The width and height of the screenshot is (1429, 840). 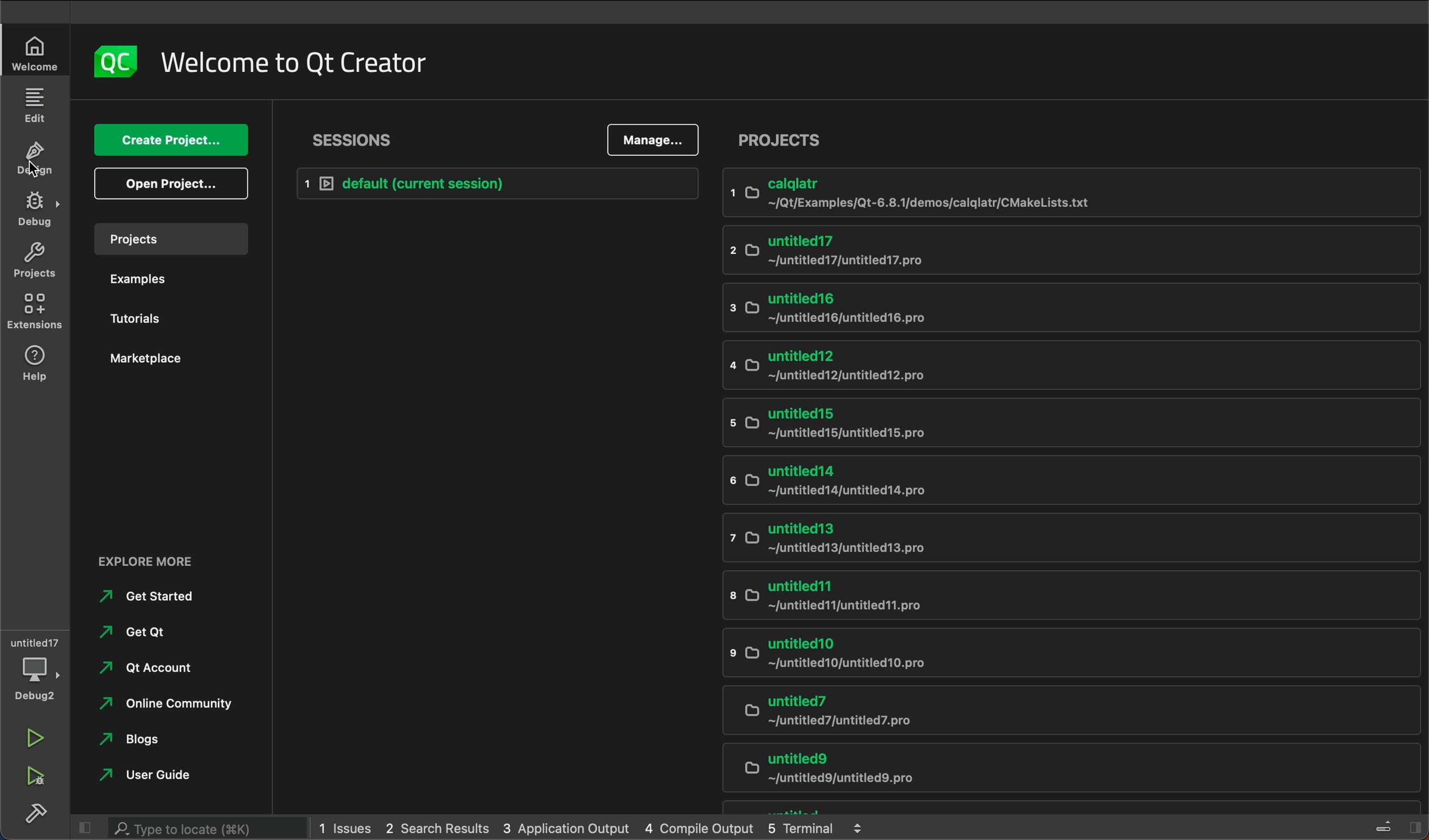 I want to click on manage, so click(x=654, y=141).